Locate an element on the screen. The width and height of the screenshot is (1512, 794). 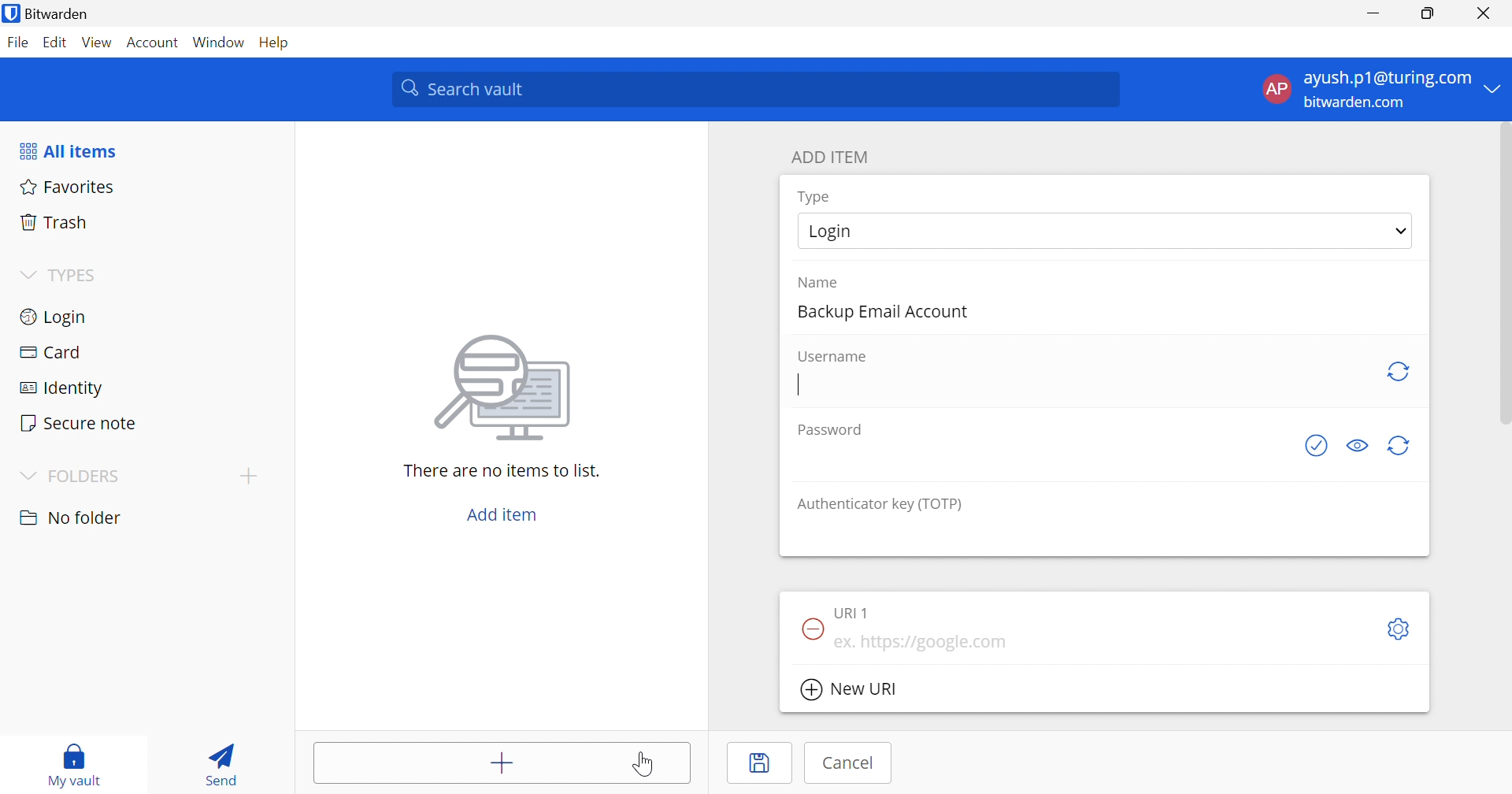
Secure notes is located at coordinates (80, 423).